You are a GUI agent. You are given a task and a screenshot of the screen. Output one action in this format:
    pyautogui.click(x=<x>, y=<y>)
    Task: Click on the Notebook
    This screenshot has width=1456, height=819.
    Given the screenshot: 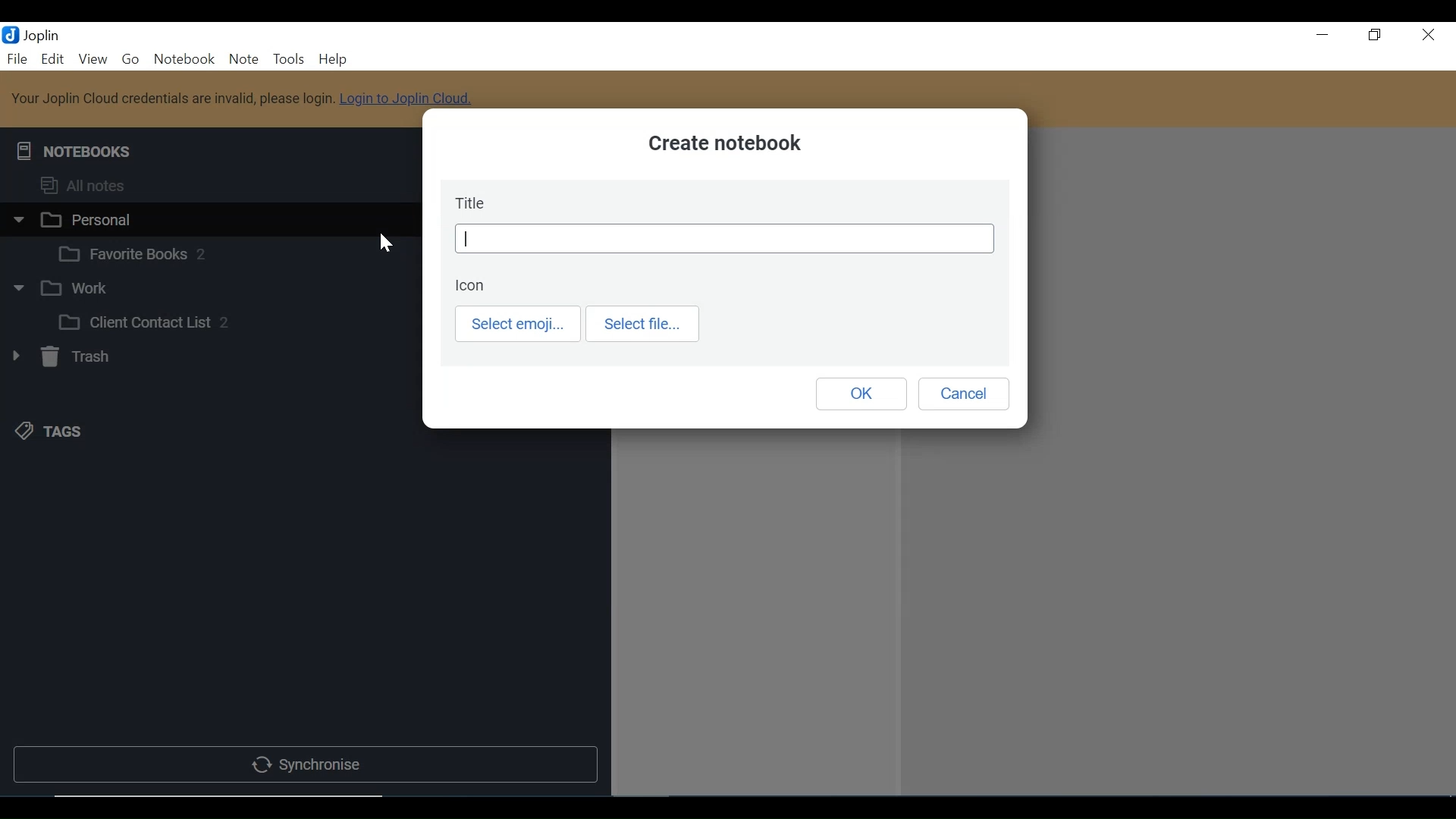 What is the action you would take?
    pyautogui.click(x=225, y=252)
    